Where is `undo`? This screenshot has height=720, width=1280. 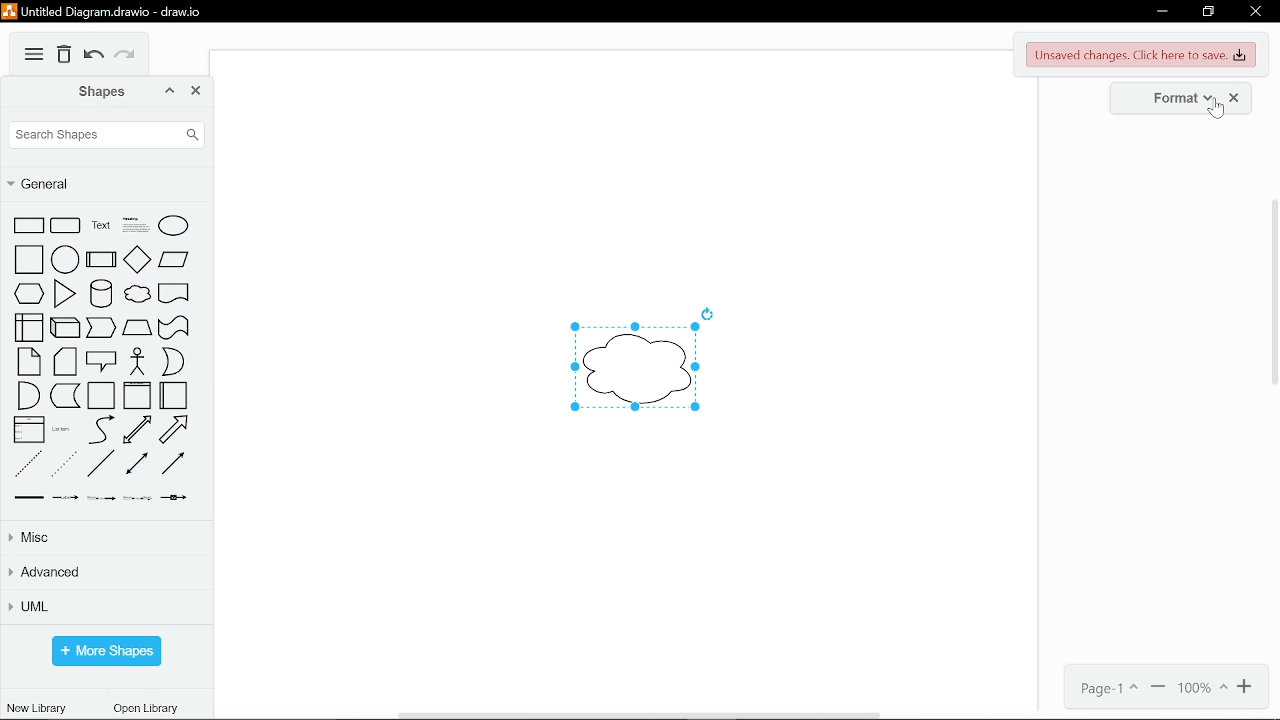 undo is located at coordinates (93, 57).